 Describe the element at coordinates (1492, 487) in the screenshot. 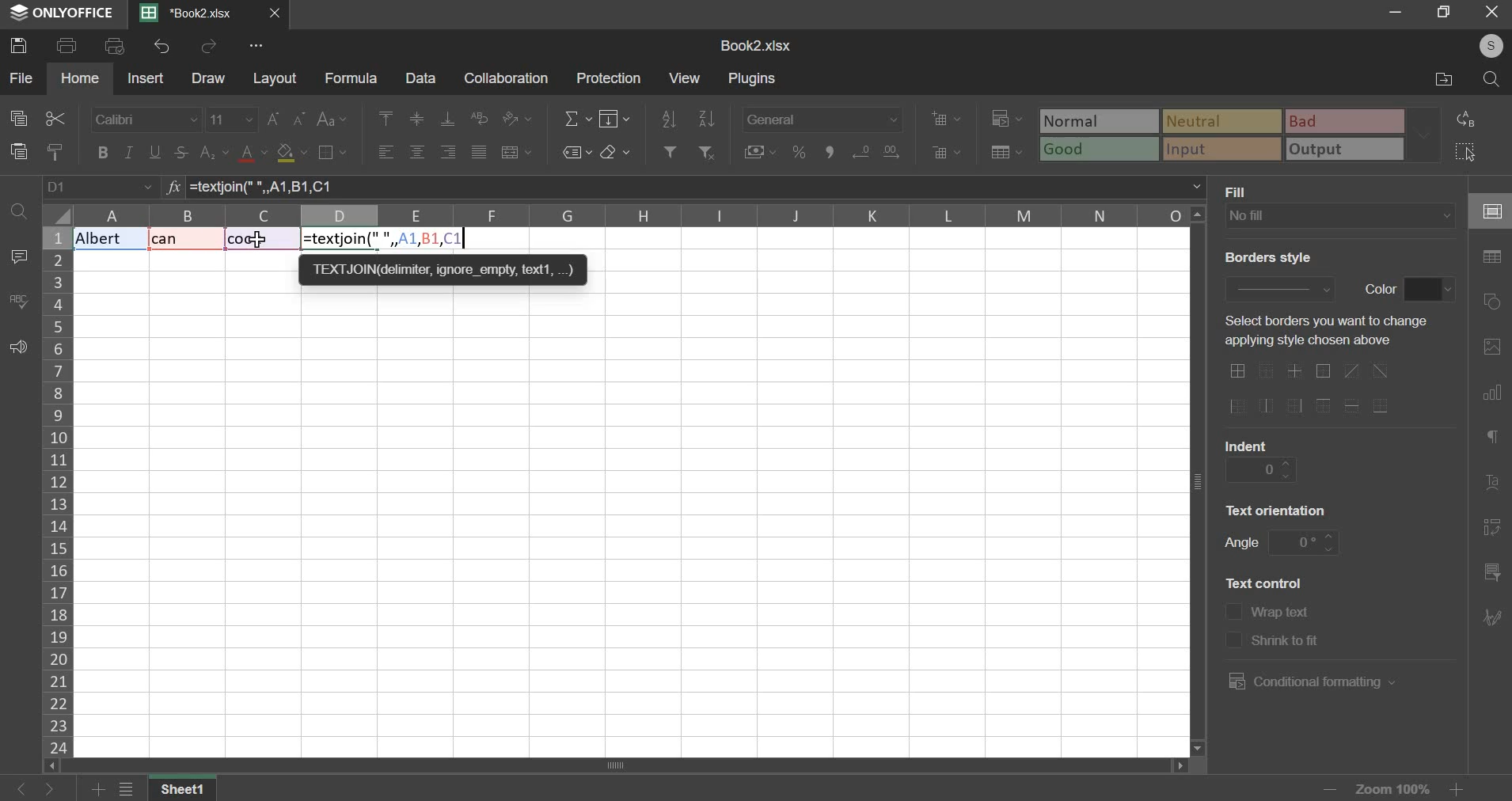

I see `text art` at that location.